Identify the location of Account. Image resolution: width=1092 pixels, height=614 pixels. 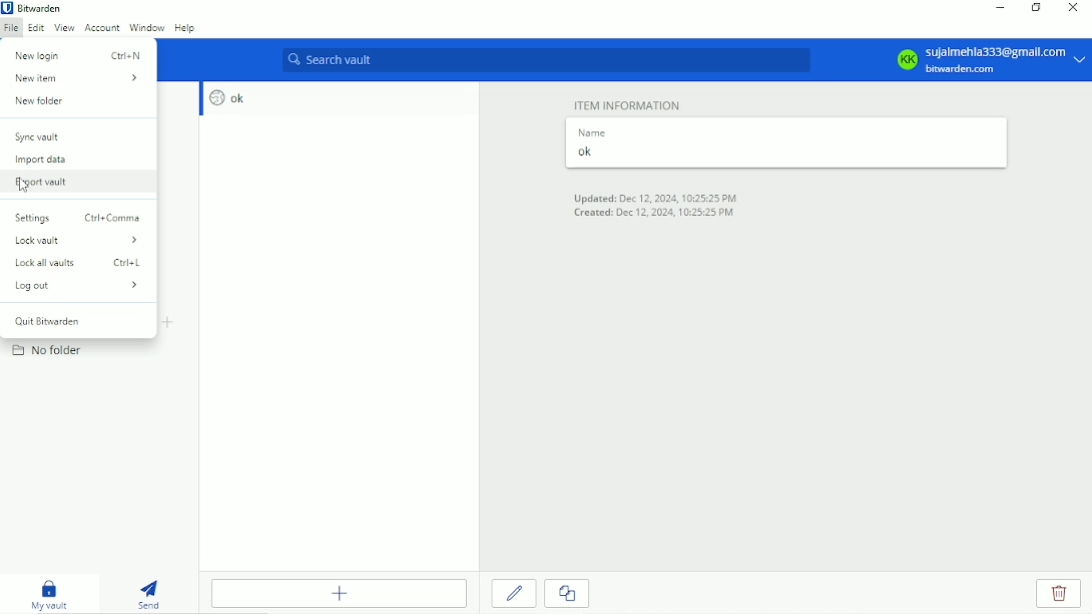
(102, 27).